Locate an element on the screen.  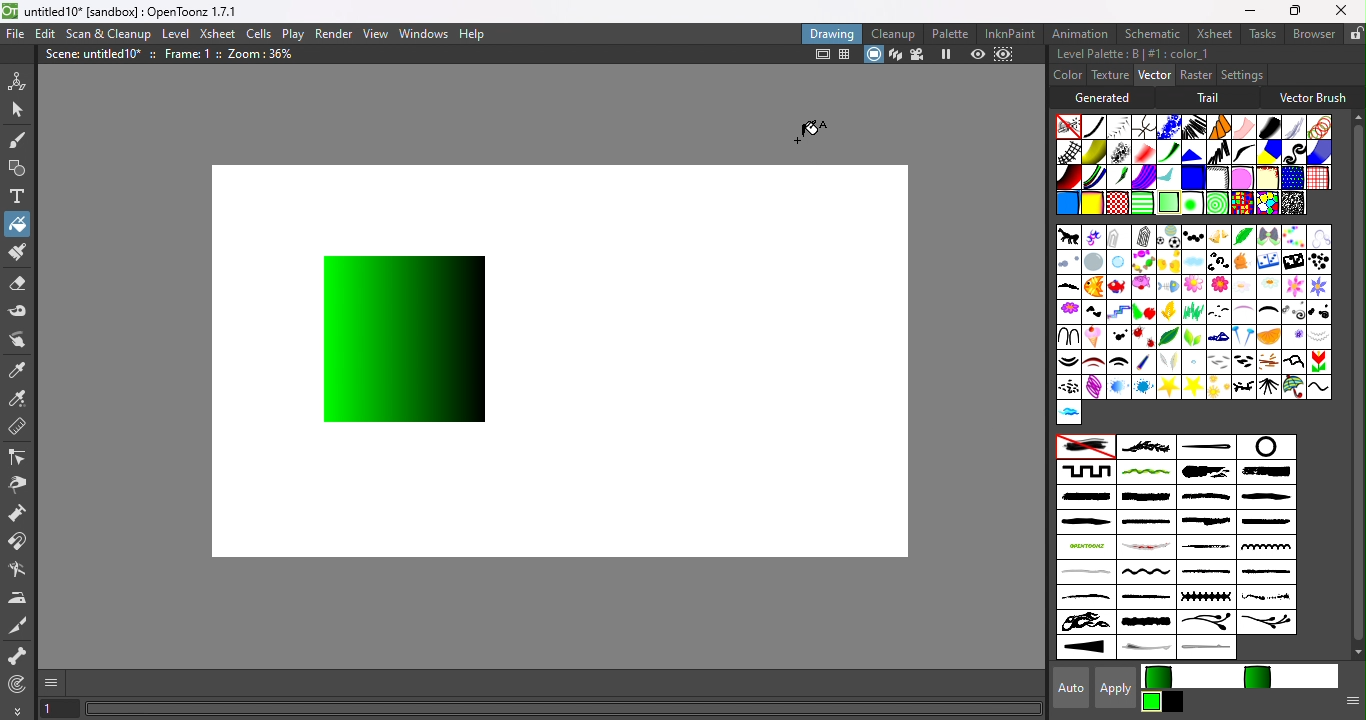
star is located at coordinates (1168, 387).